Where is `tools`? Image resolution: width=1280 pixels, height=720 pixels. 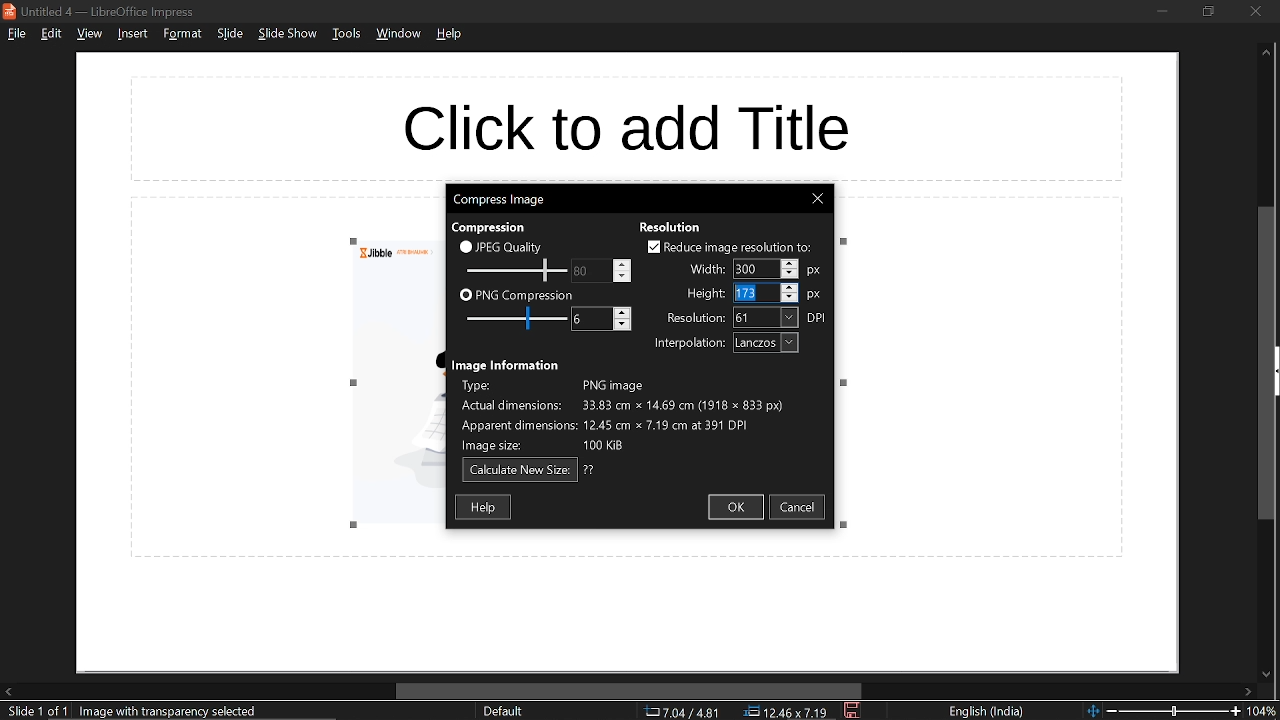 tools is located at coordinates (345, 37).